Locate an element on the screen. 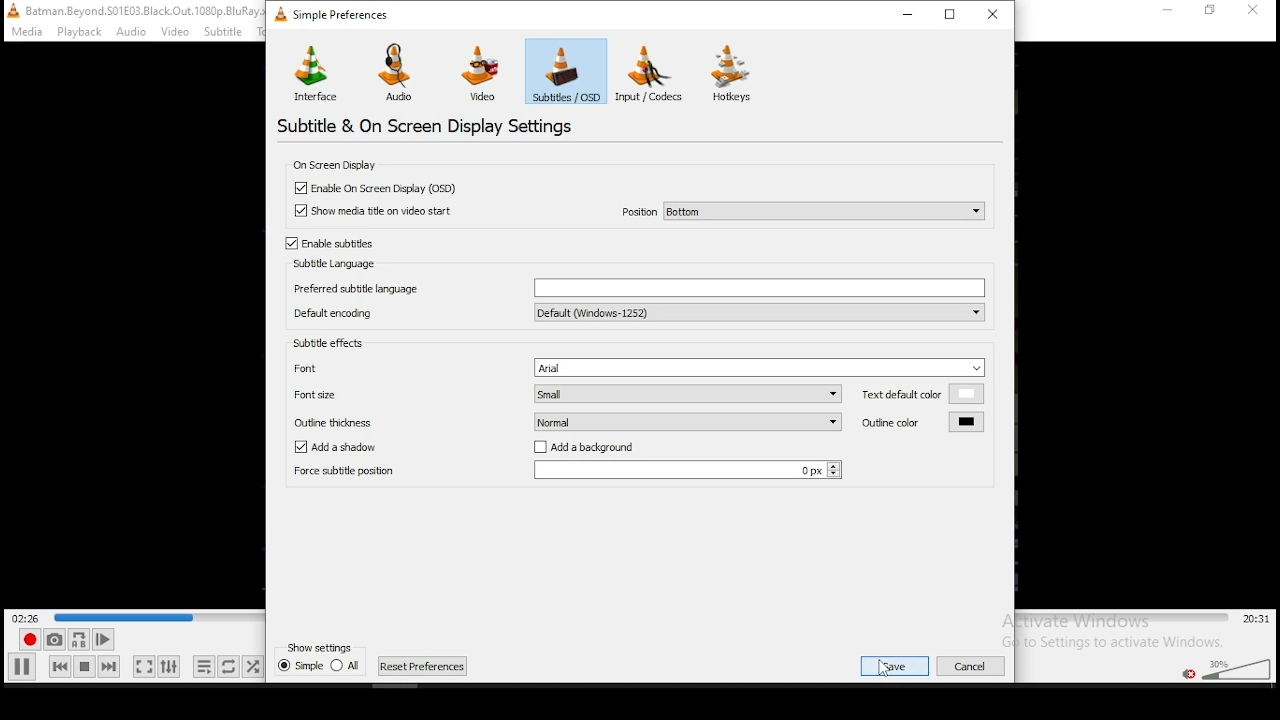  next chapter is located at coordinates (423, 666).